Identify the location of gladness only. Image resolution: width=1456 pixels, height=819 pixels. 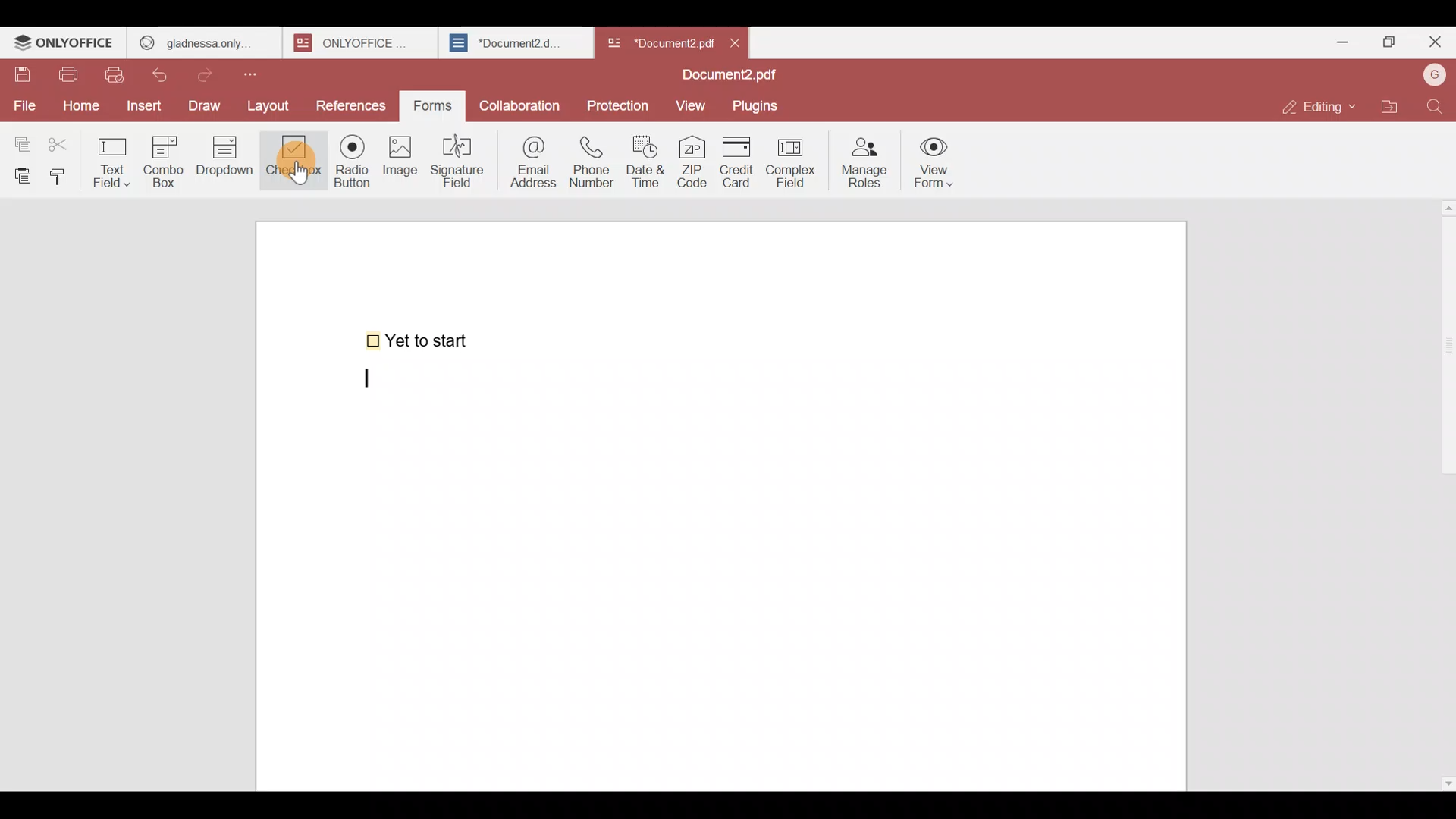
(203, 39).